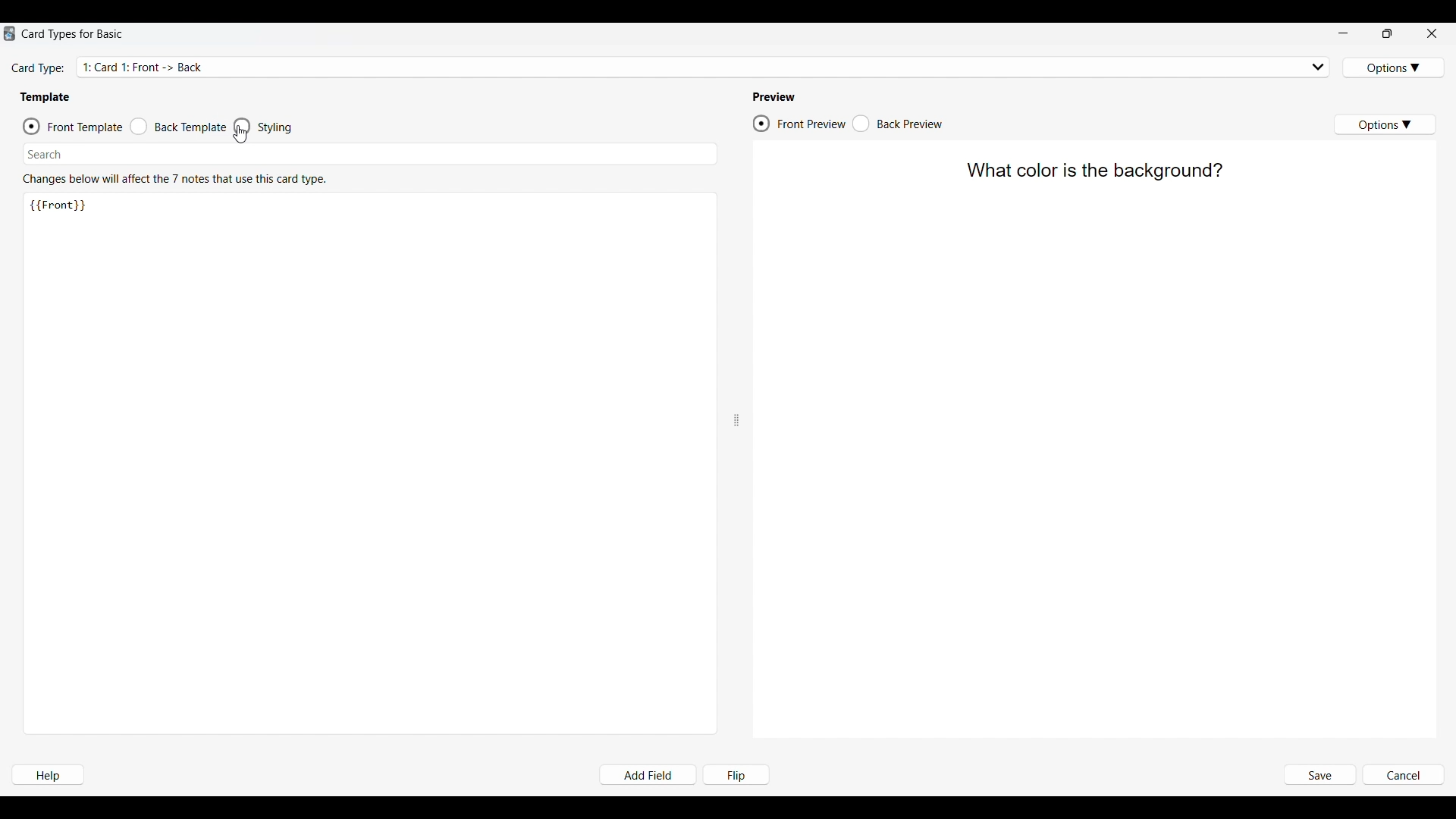 Image resolution: width=1456 pixels, height=819 pixels. Describe the element at coordinates (799, 124) in the screenshot. I see `Preview front of card, current selection` at that location.